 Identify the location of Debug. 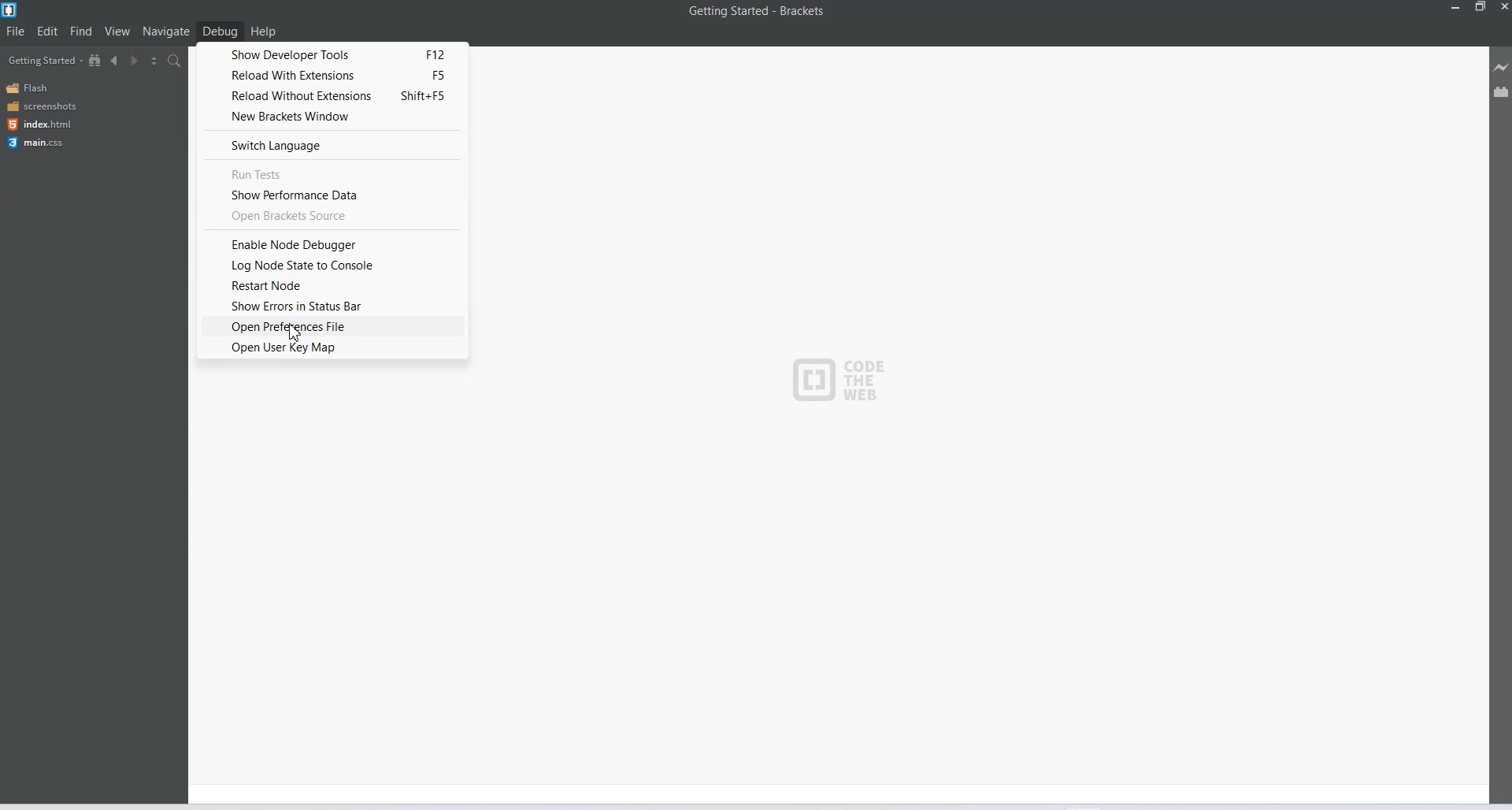
(220, 31).